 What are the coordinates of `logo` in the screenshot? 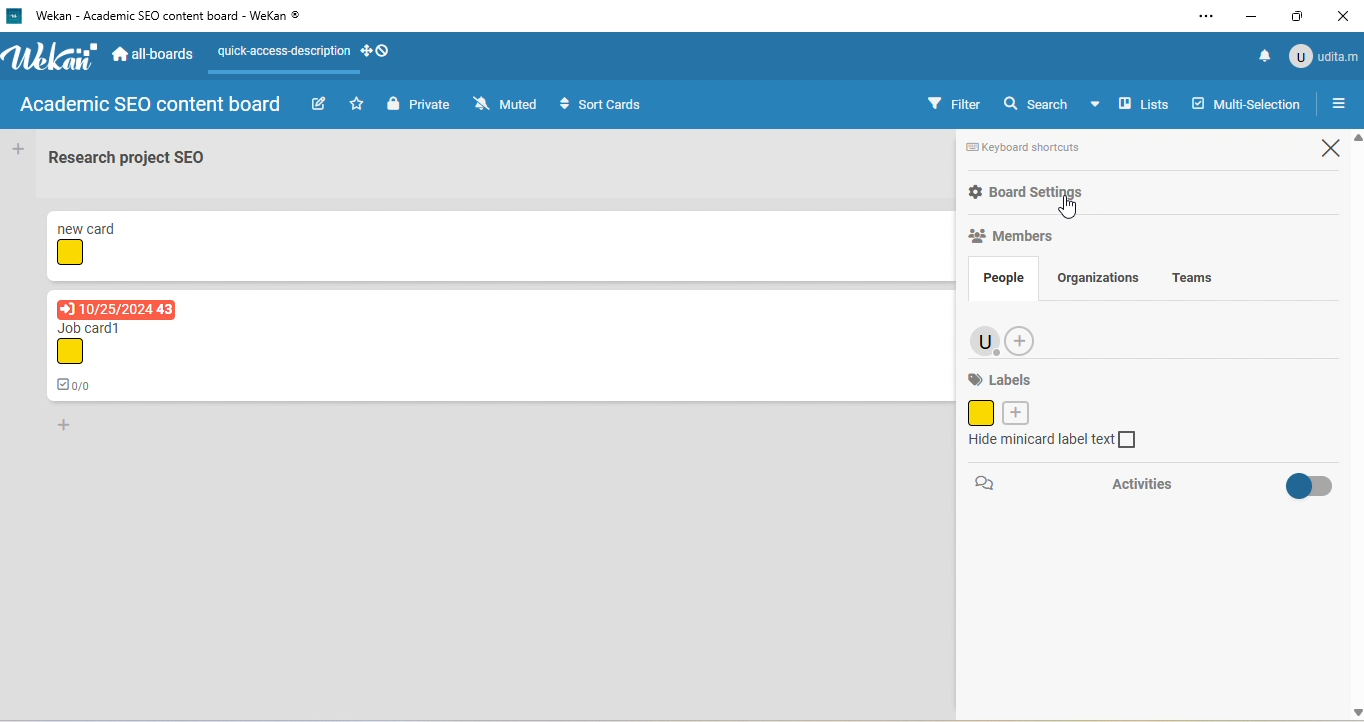 It's located at (13, 16).